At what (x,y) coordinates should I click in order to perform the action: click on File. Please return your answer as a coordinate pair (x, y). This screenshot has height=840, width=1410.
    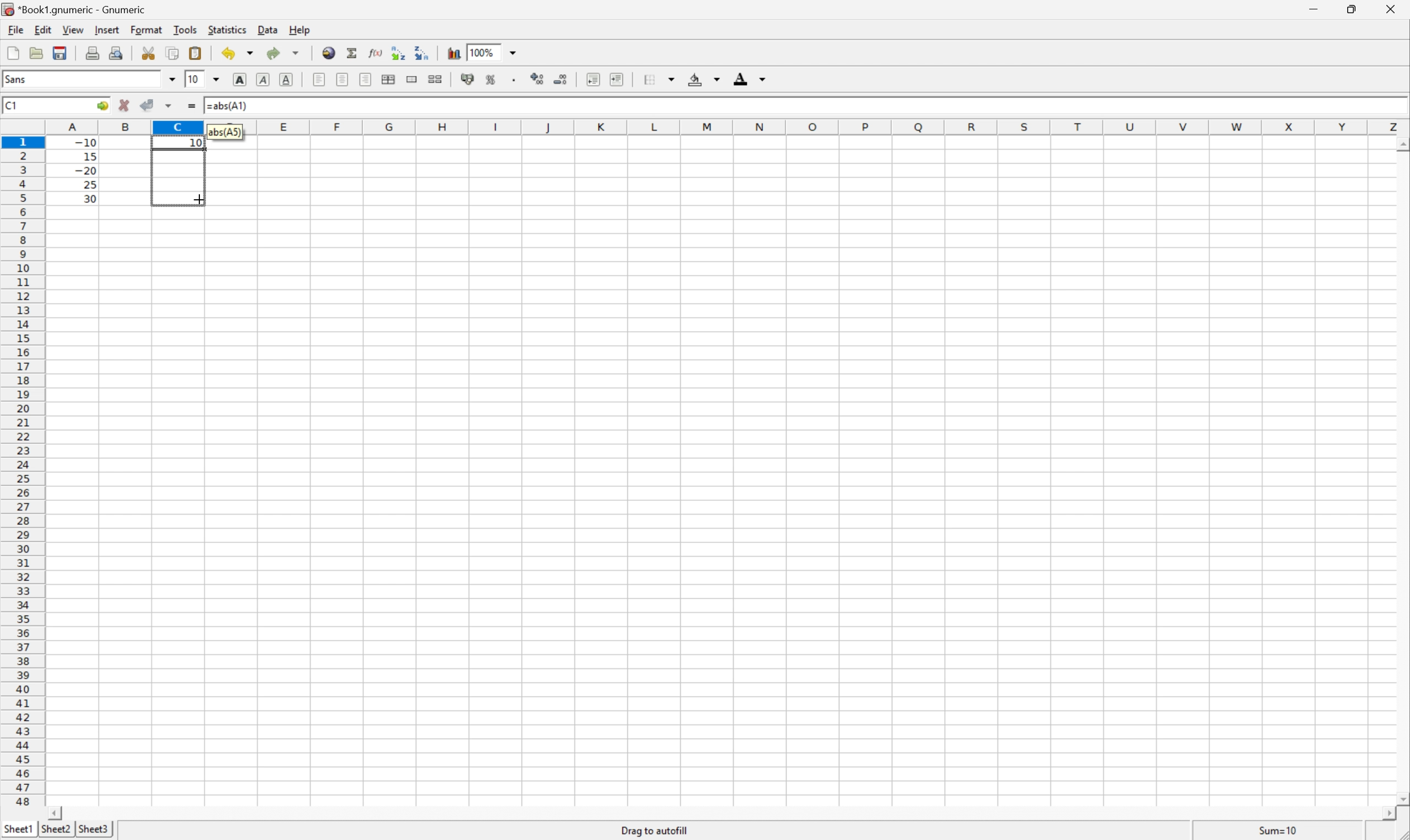
    Looking at the image, I should click on (13, 54).